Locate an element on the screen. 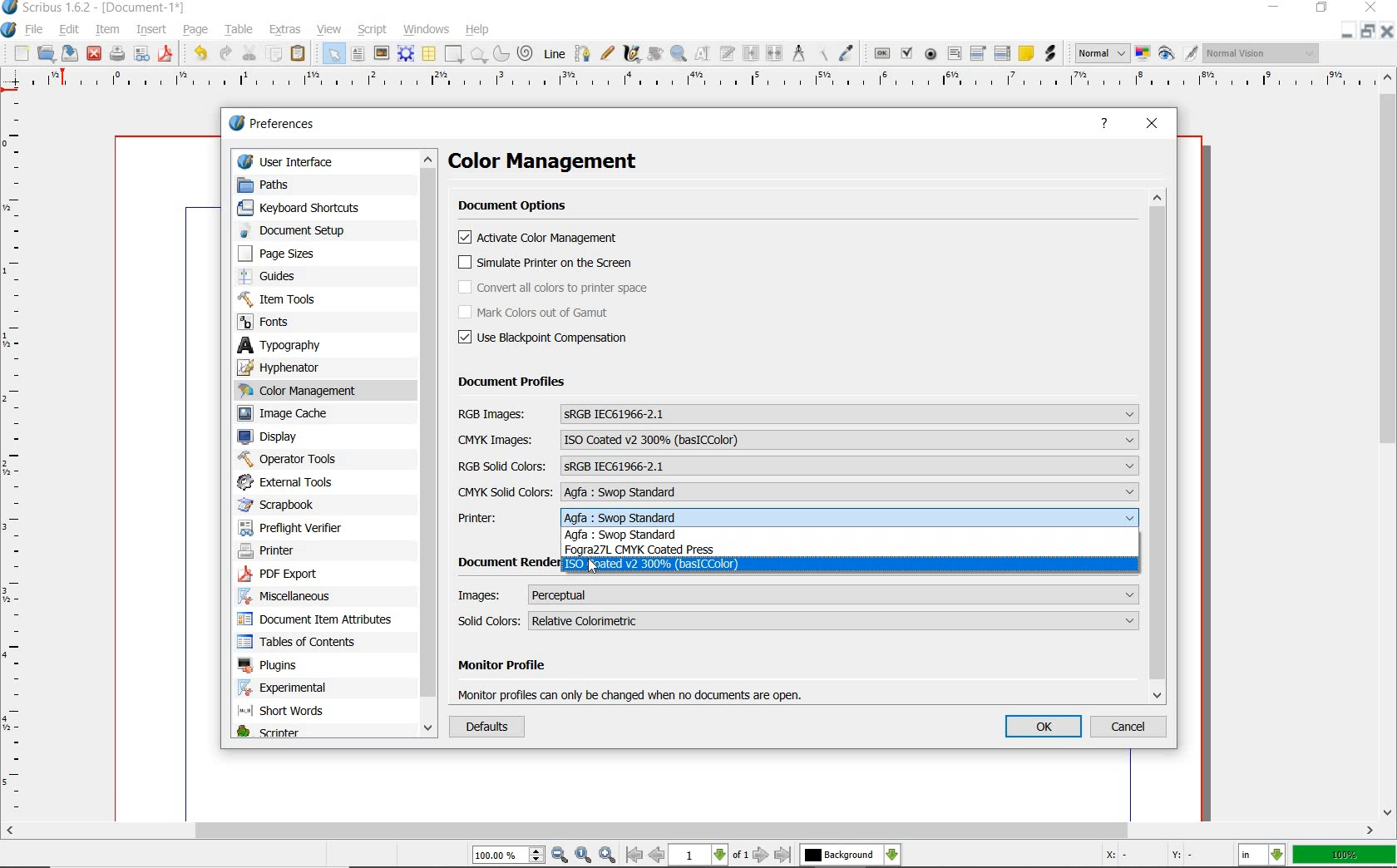 The width and height of the screenshot is (1397, 868). print is located at coordinates (116, 53).